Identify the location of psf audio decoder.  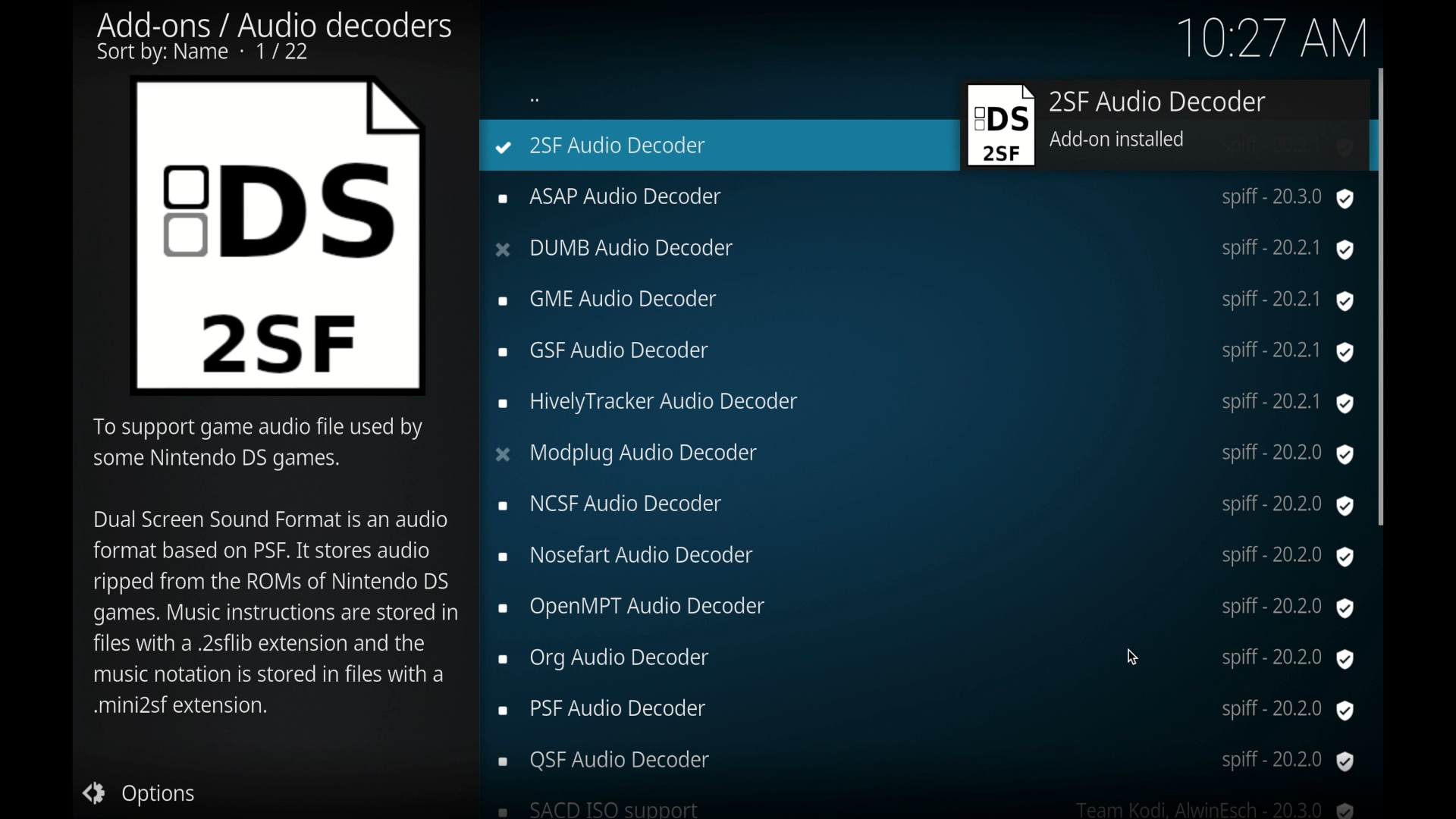
(924, 711).